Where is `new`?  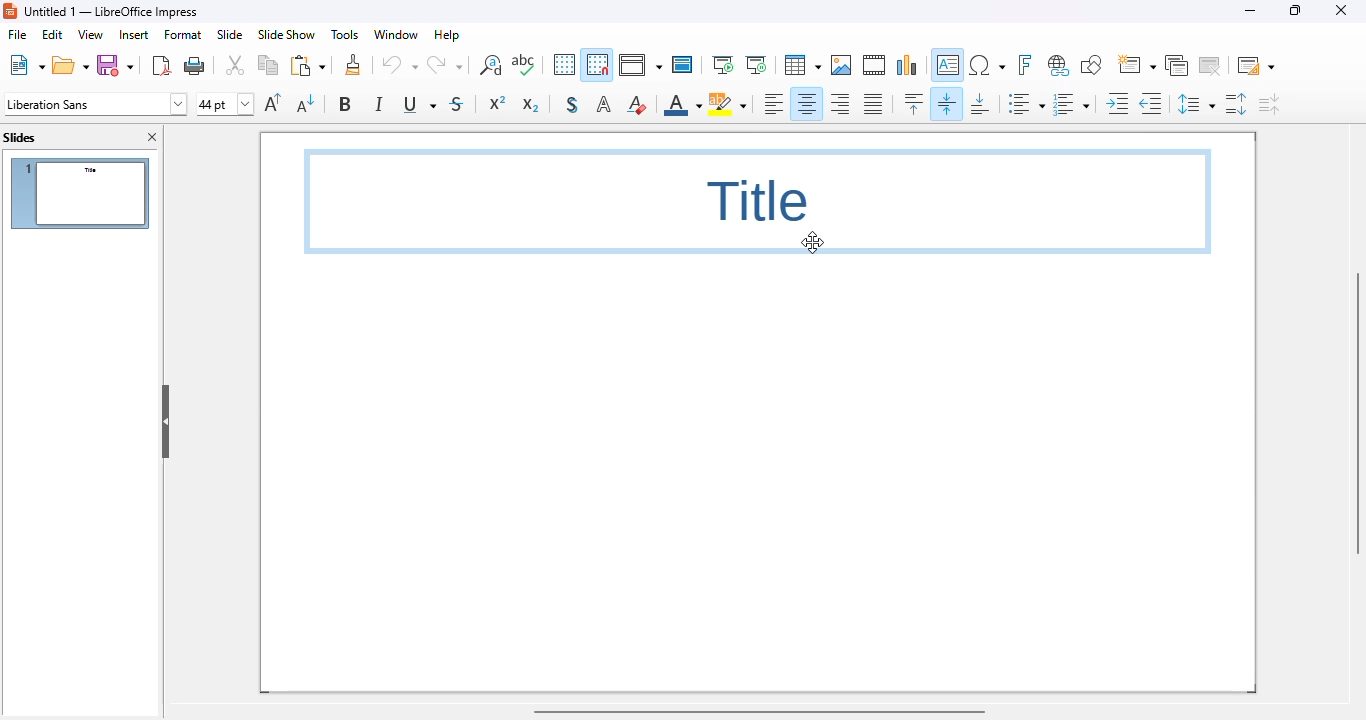
new is located at coordinates (27, 65).